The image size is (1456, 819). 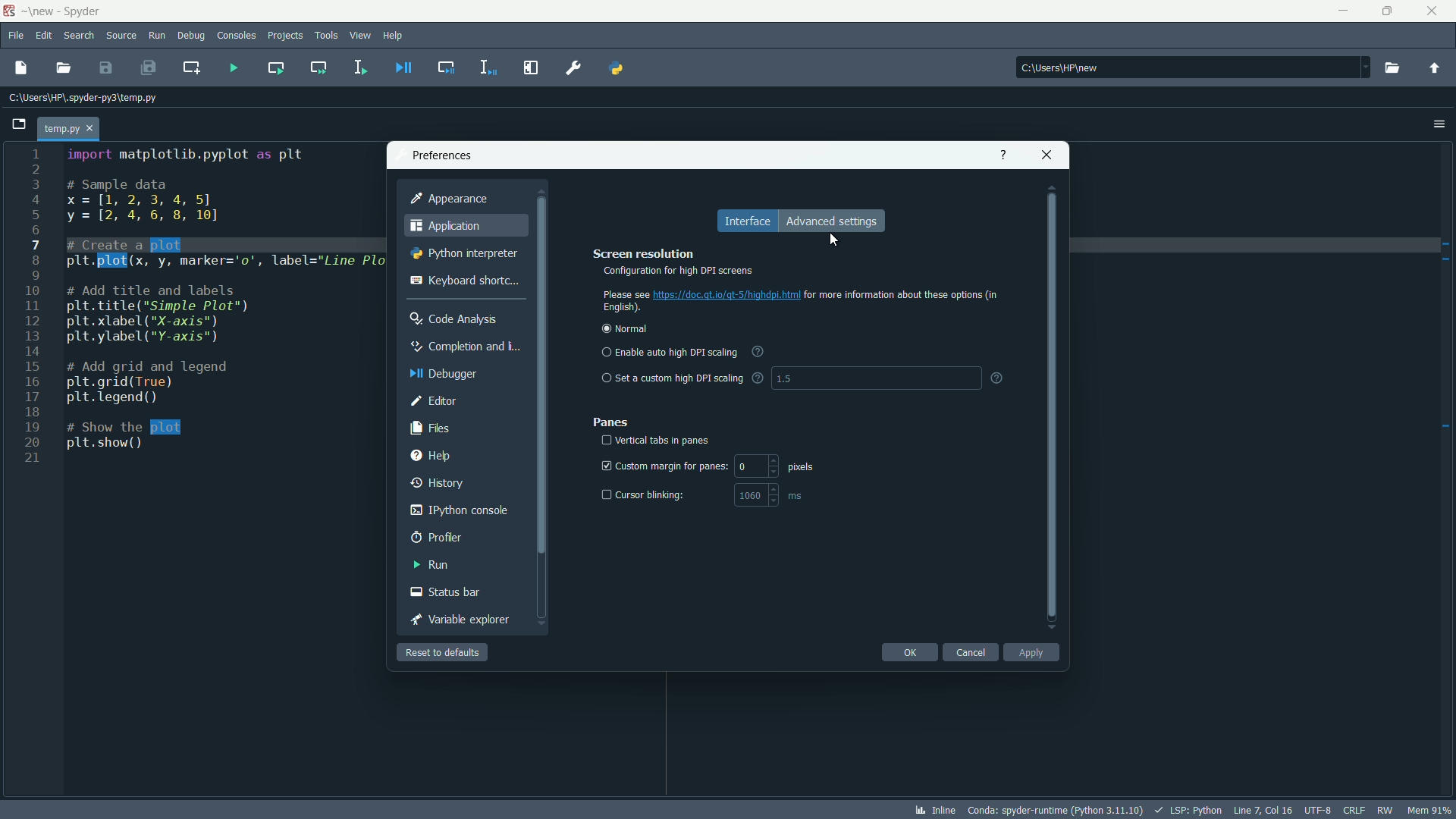 I want to click on file eol status, so click(x=1355, y=810).